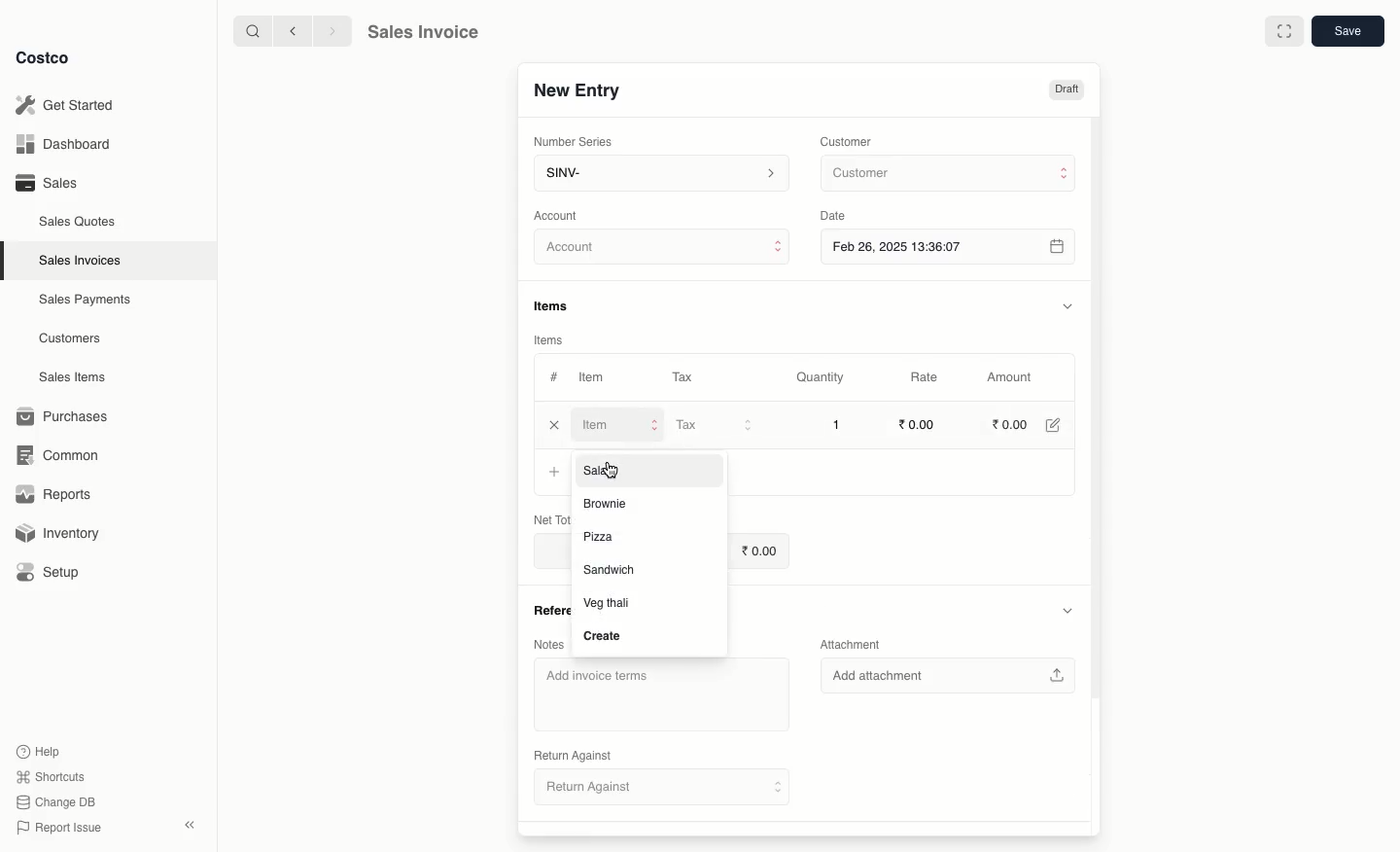 The width and height of the screenshot is (1400, 852). What do you see at coordinates (54, 496) in the screenshot?
I see `Reports` at bounding box center [54, 496].